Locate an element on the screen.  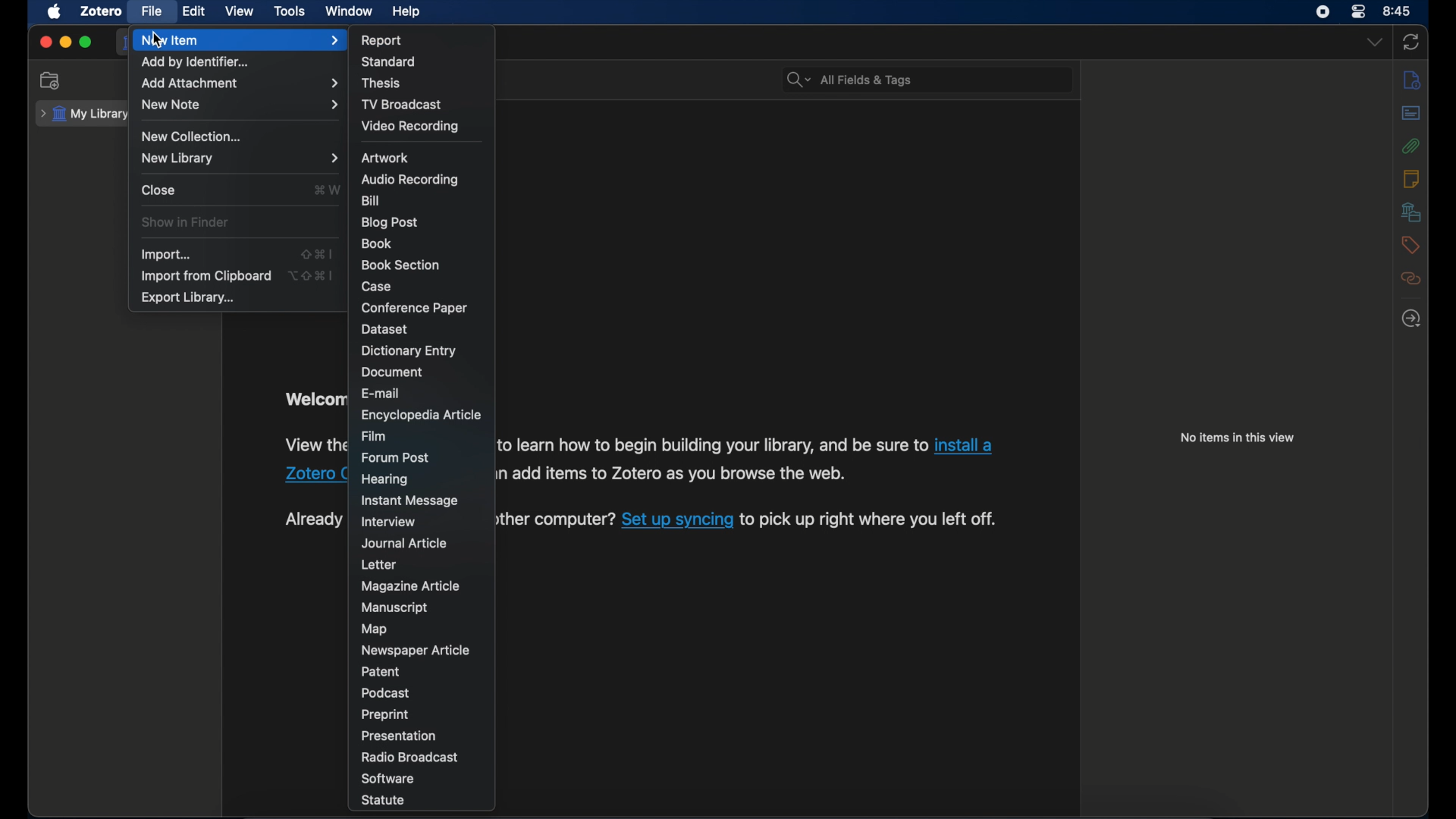
tv broadcast is located at coordinates (402, 104).